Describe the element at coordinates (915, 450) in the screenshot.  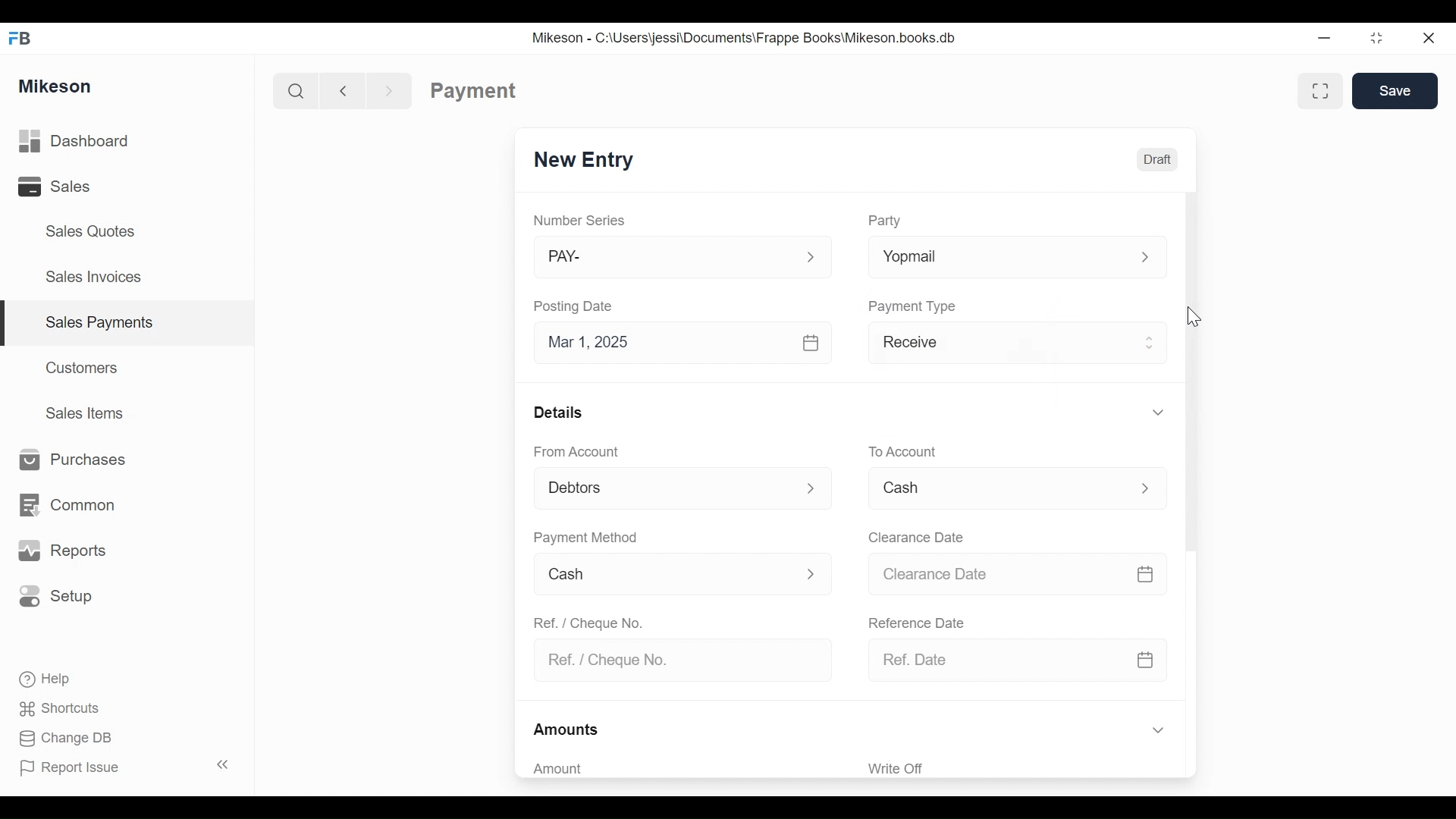
I see `To account` at that location.